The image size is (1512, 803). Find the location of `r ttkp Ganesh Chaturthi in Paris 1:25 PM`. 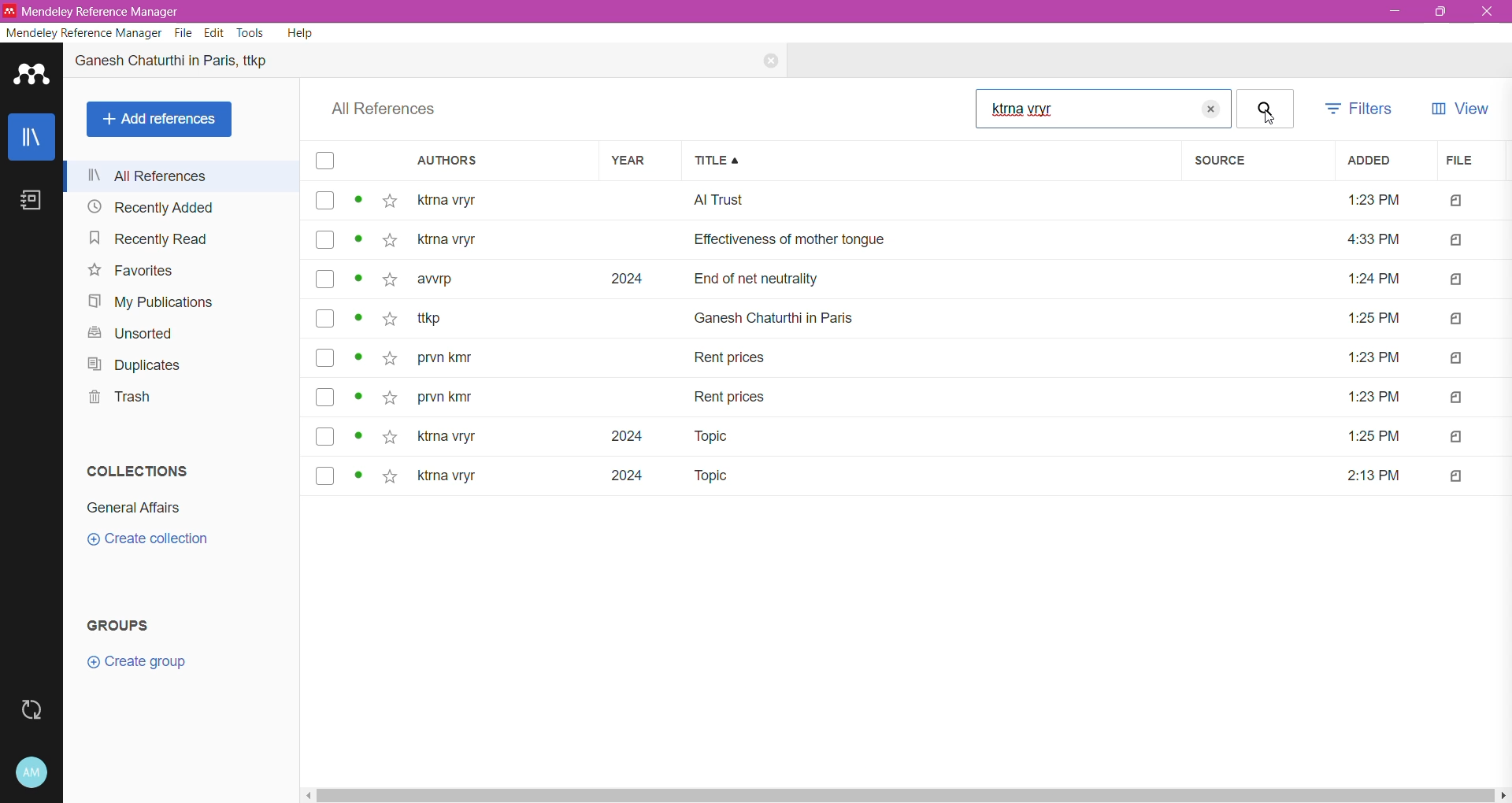

r ttkp Ganesh Chaturthi in Paris 1:25 PM is located at coordinates (909, 318).